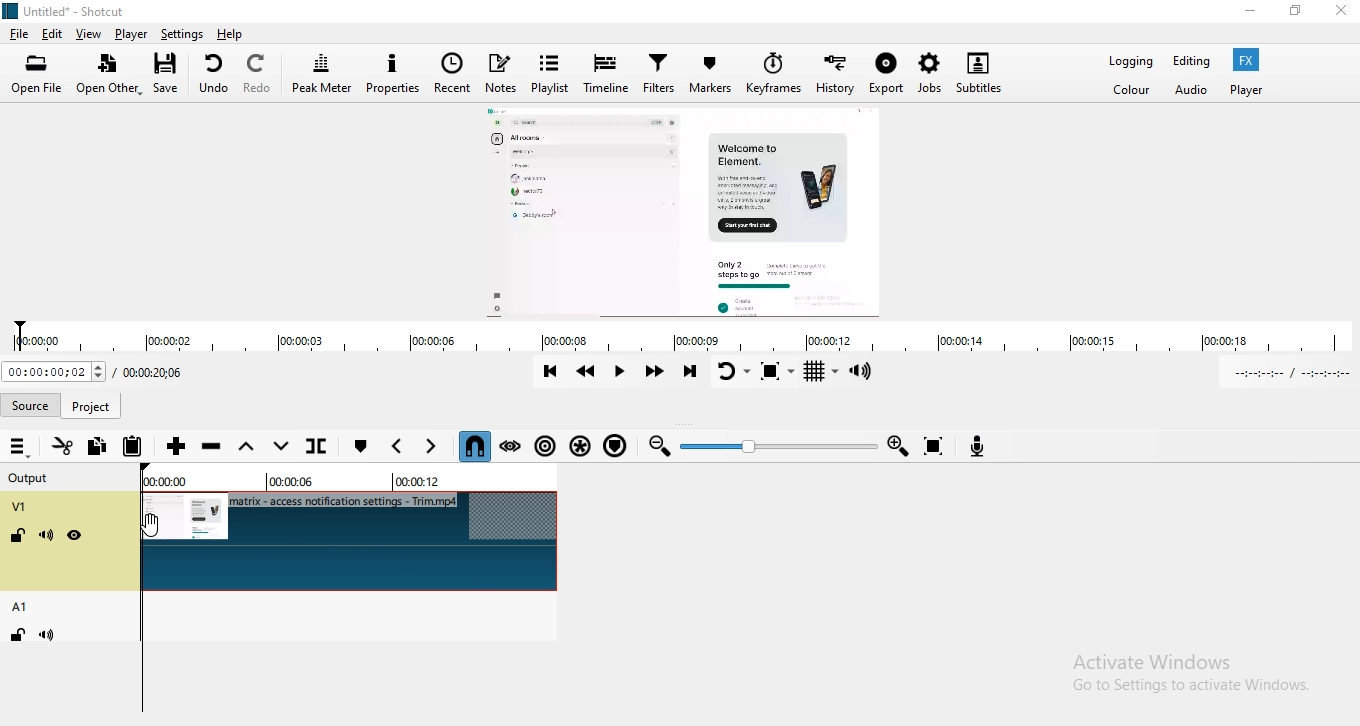  I want to click on Open file , so click(38, 73).